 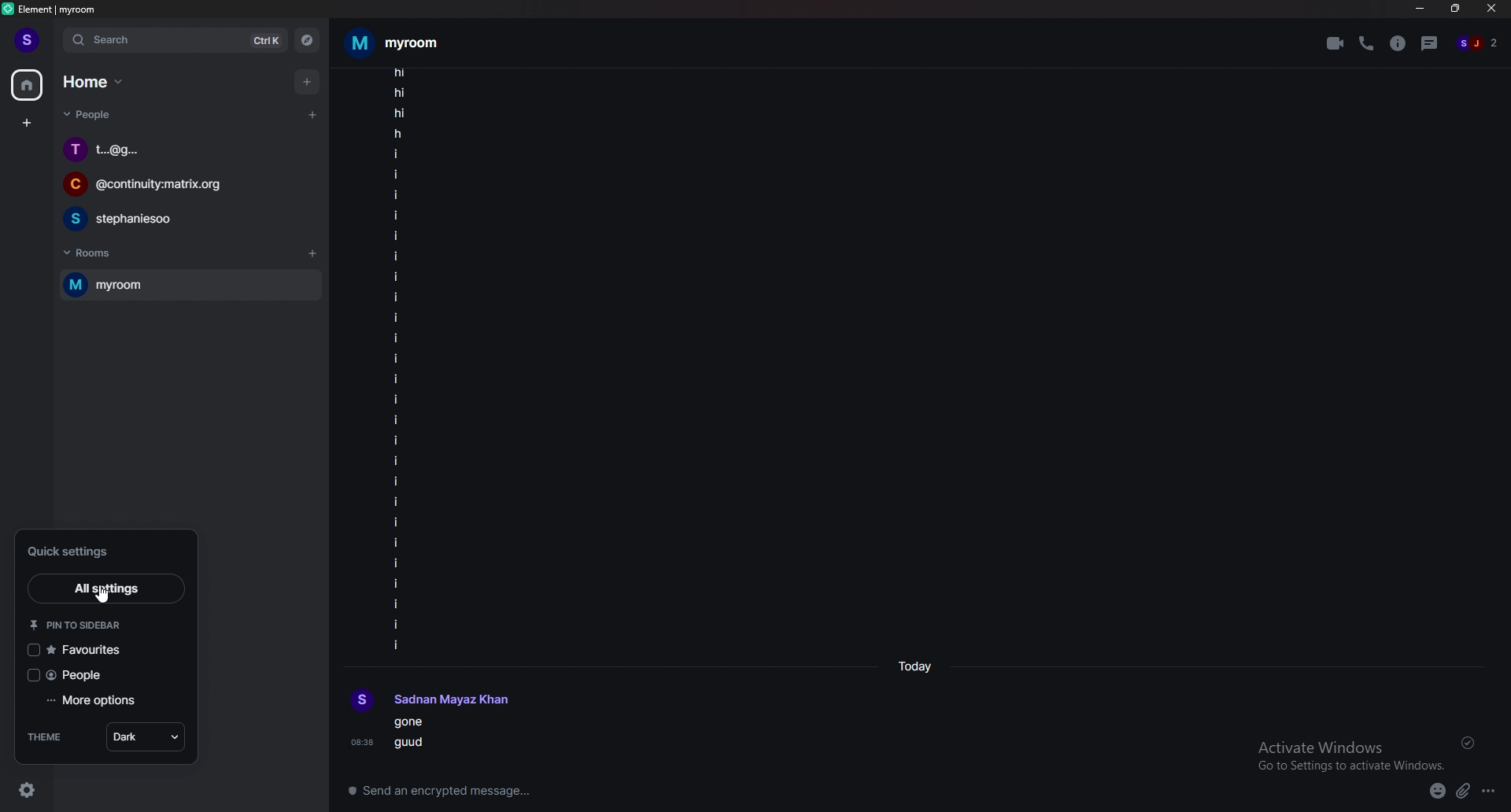 I want to click on favourites, so click(x=91, y=650).